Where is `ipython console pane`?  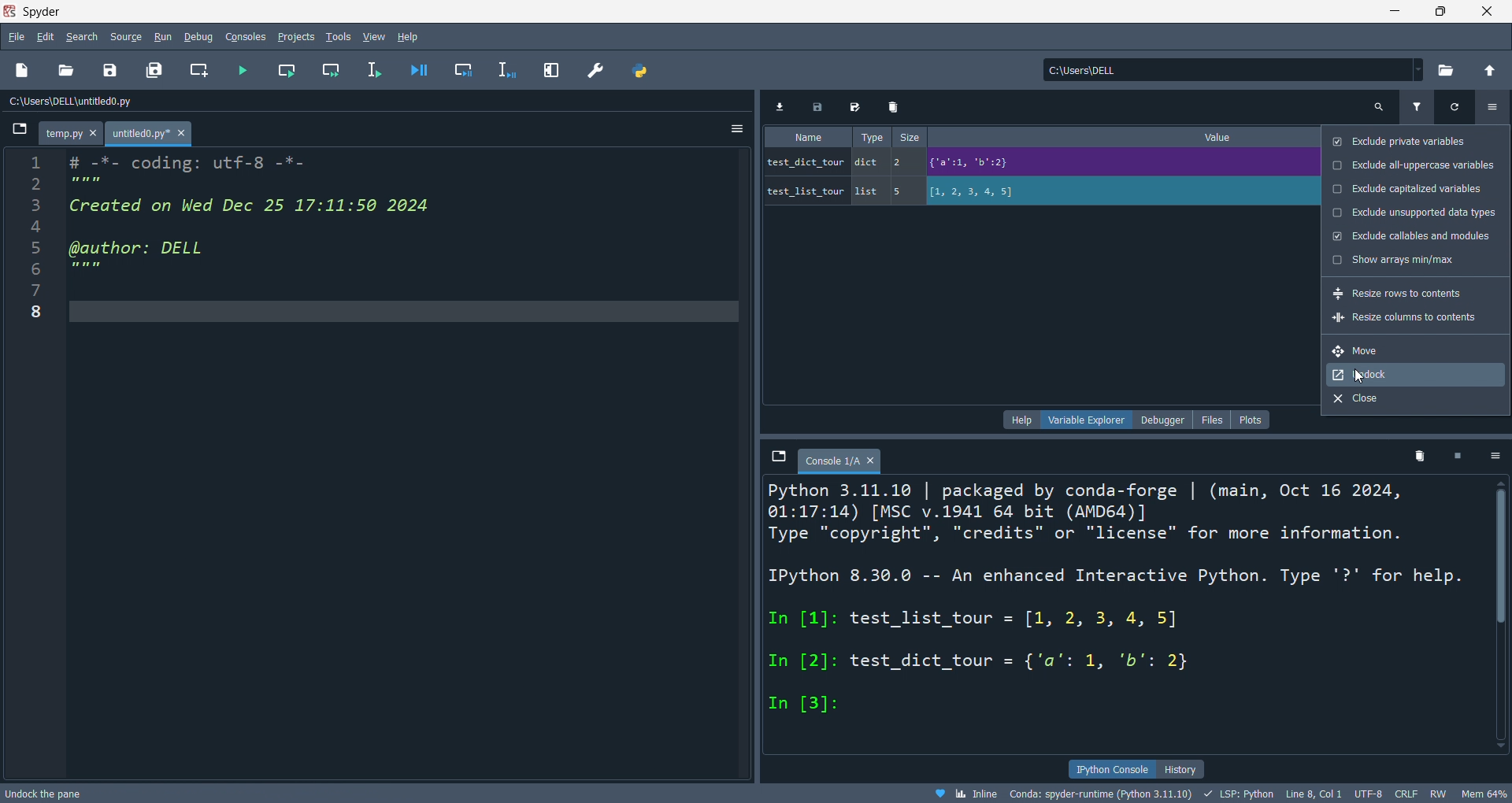 ipython console pane is located at coordinates (1122, 616).